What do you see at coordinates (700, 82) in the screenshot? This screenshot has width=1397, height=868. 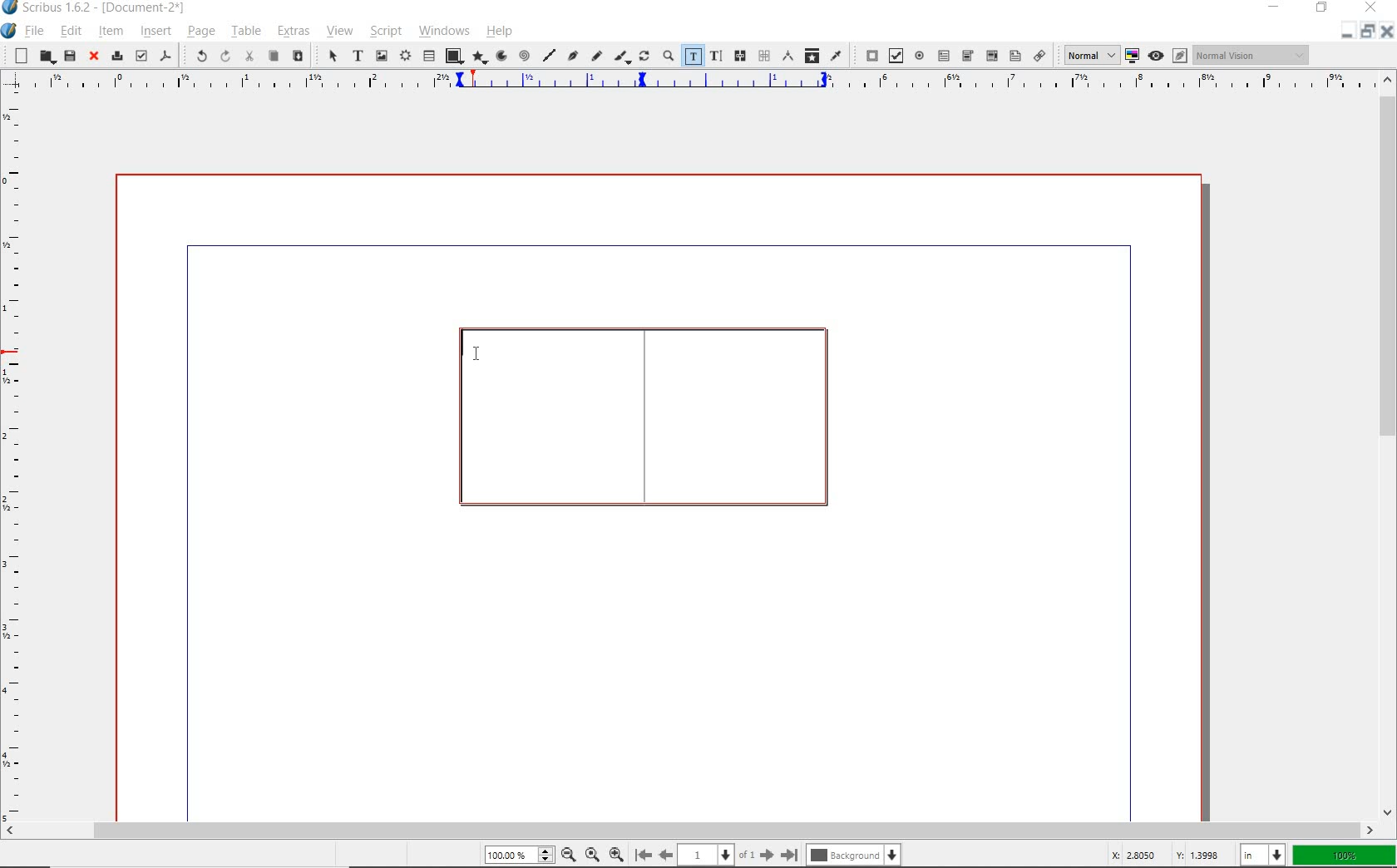 I see `ruler` at bounding box center [700, 82].